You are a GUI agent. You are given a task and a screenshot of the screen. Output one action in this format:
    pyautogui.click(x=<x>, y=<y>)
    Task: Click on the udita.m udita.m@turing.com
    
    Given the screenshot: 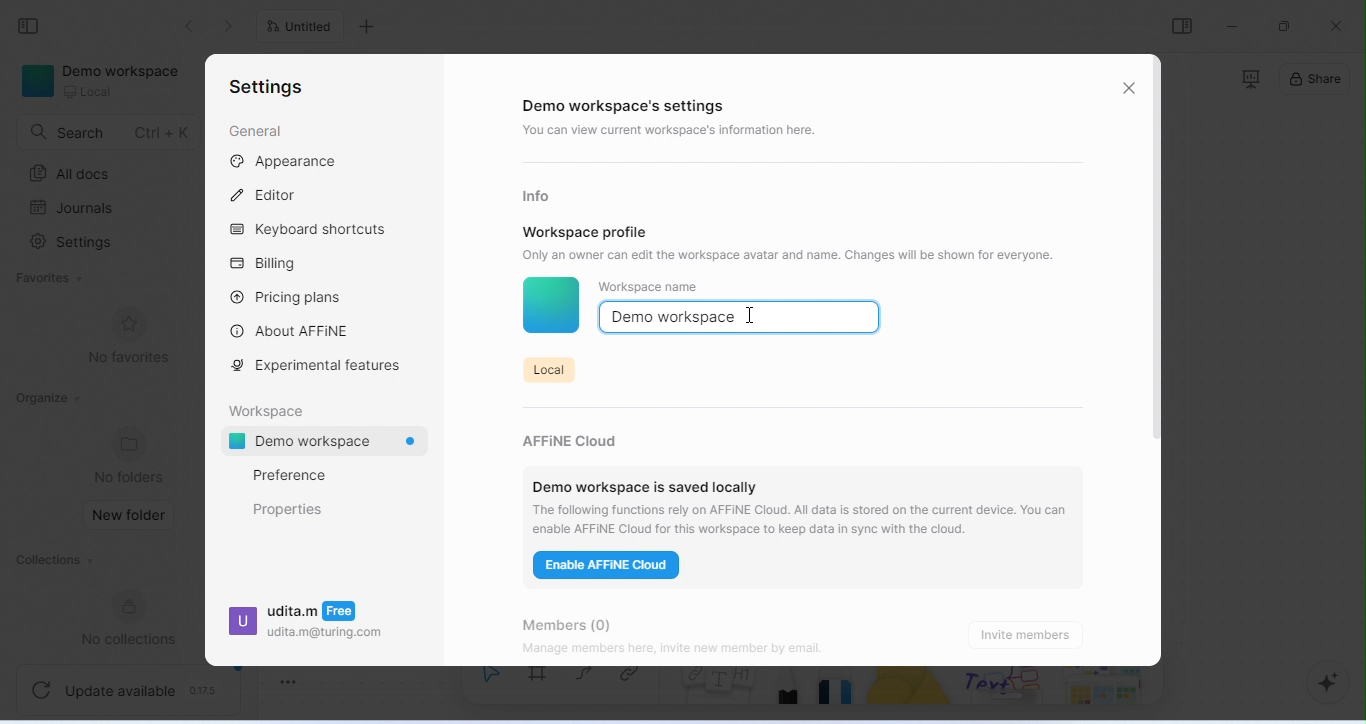 What is the action you would take?
    pyautogui.click(x=306, y=626)
    